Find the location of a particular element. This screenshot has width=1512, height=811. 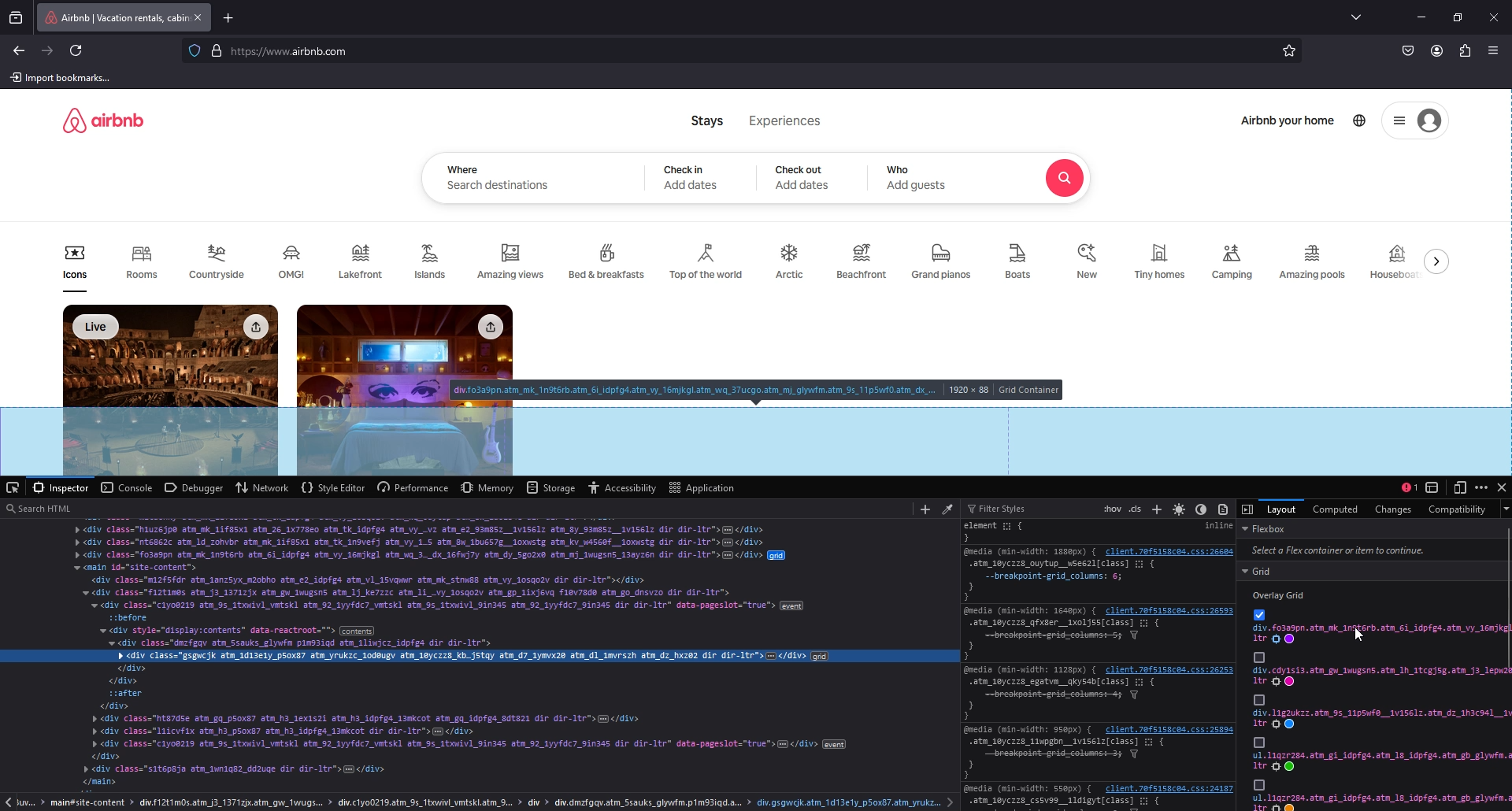

Checkout is located at coordinates (800, 169).